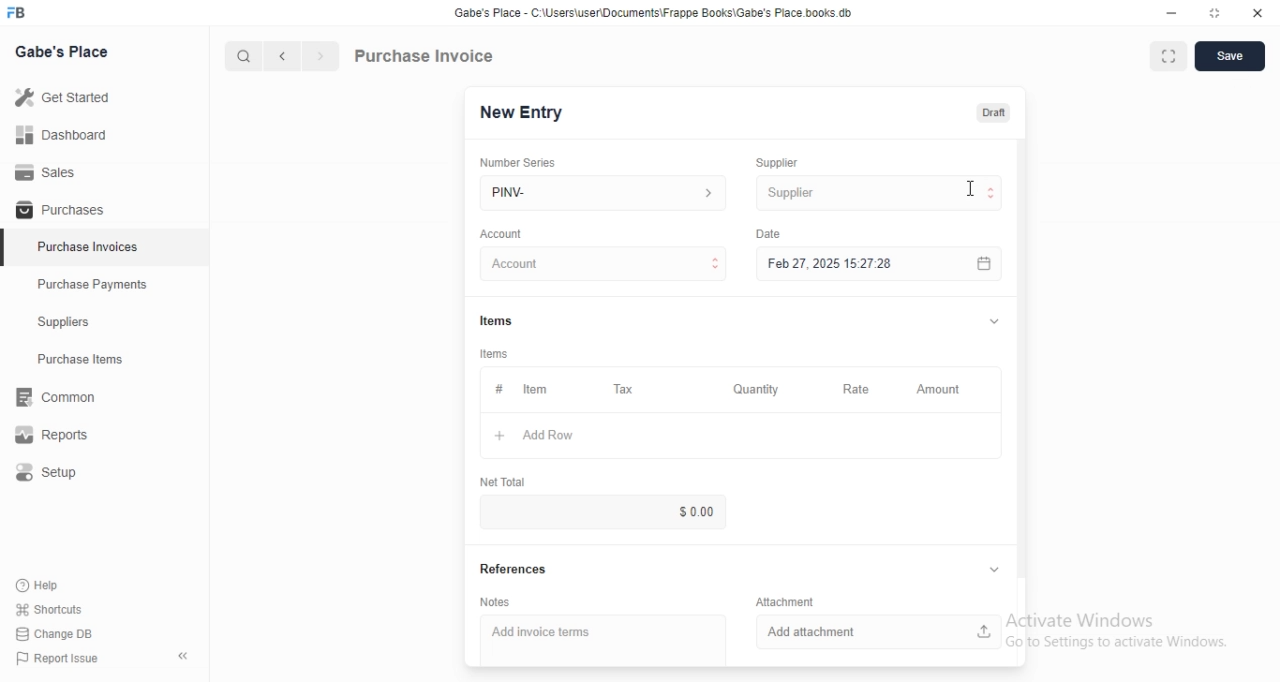 The width and height of the screenshot is (1280, 682). Describe the element at coordinates (603, 193) in the screenshot. I see `PINV-` at that location.